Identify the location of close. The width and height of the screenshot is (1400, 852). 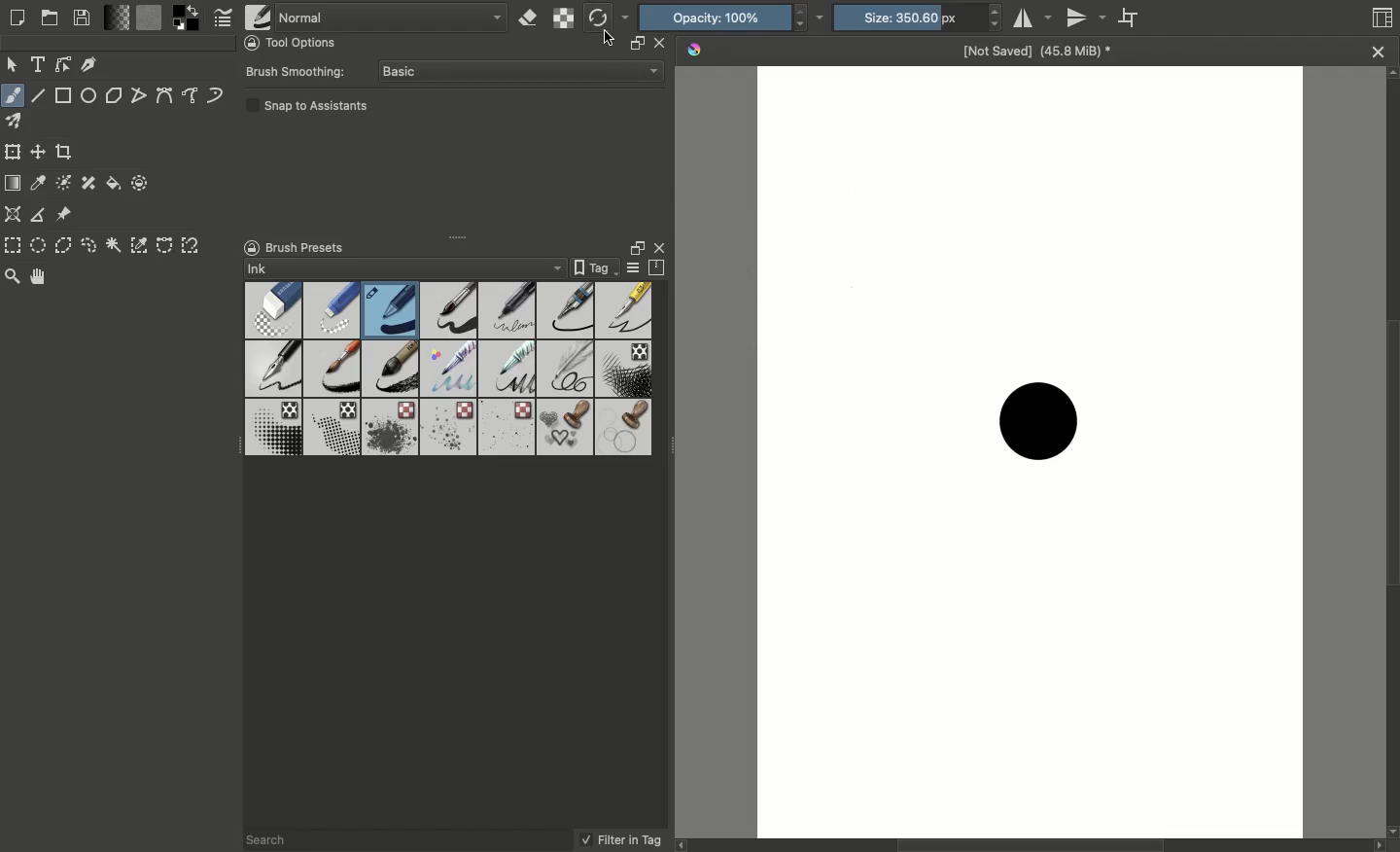
(659, 44).